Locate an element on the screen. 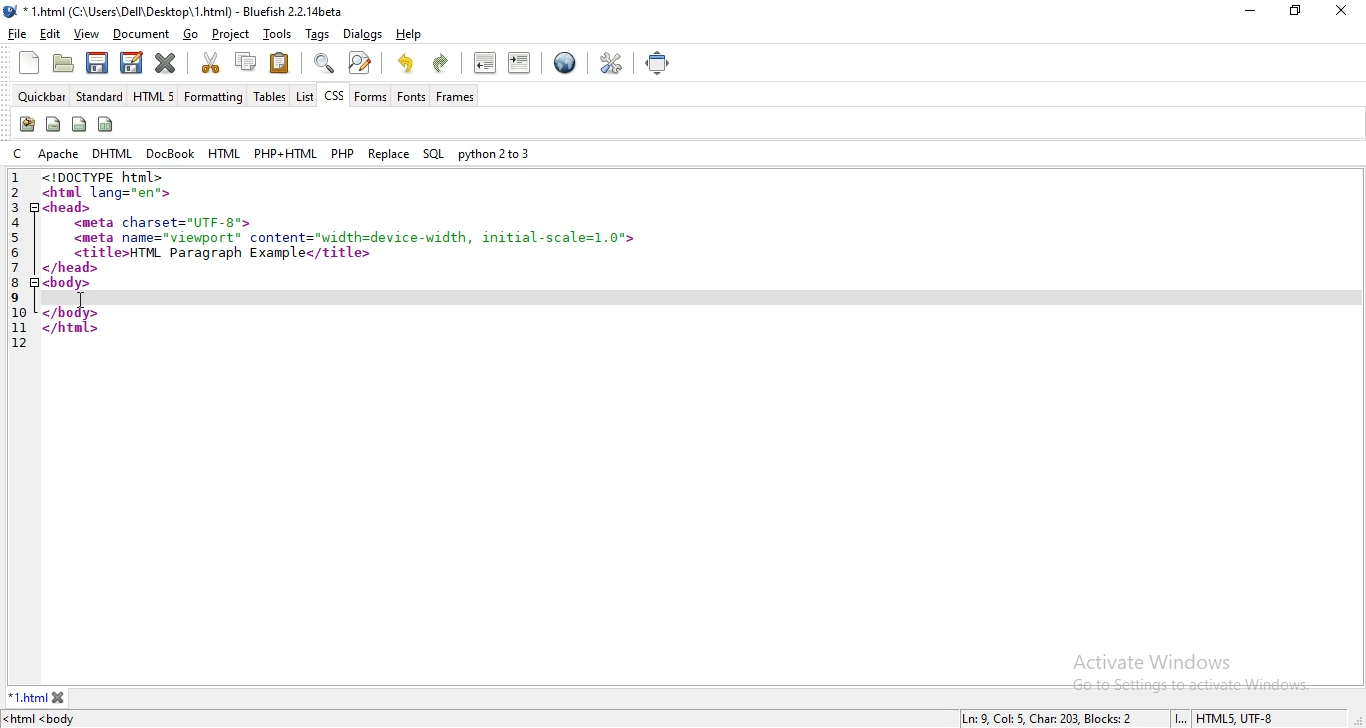 The image size is (1366, 728). *1.html is located at coordinates (28, 697).